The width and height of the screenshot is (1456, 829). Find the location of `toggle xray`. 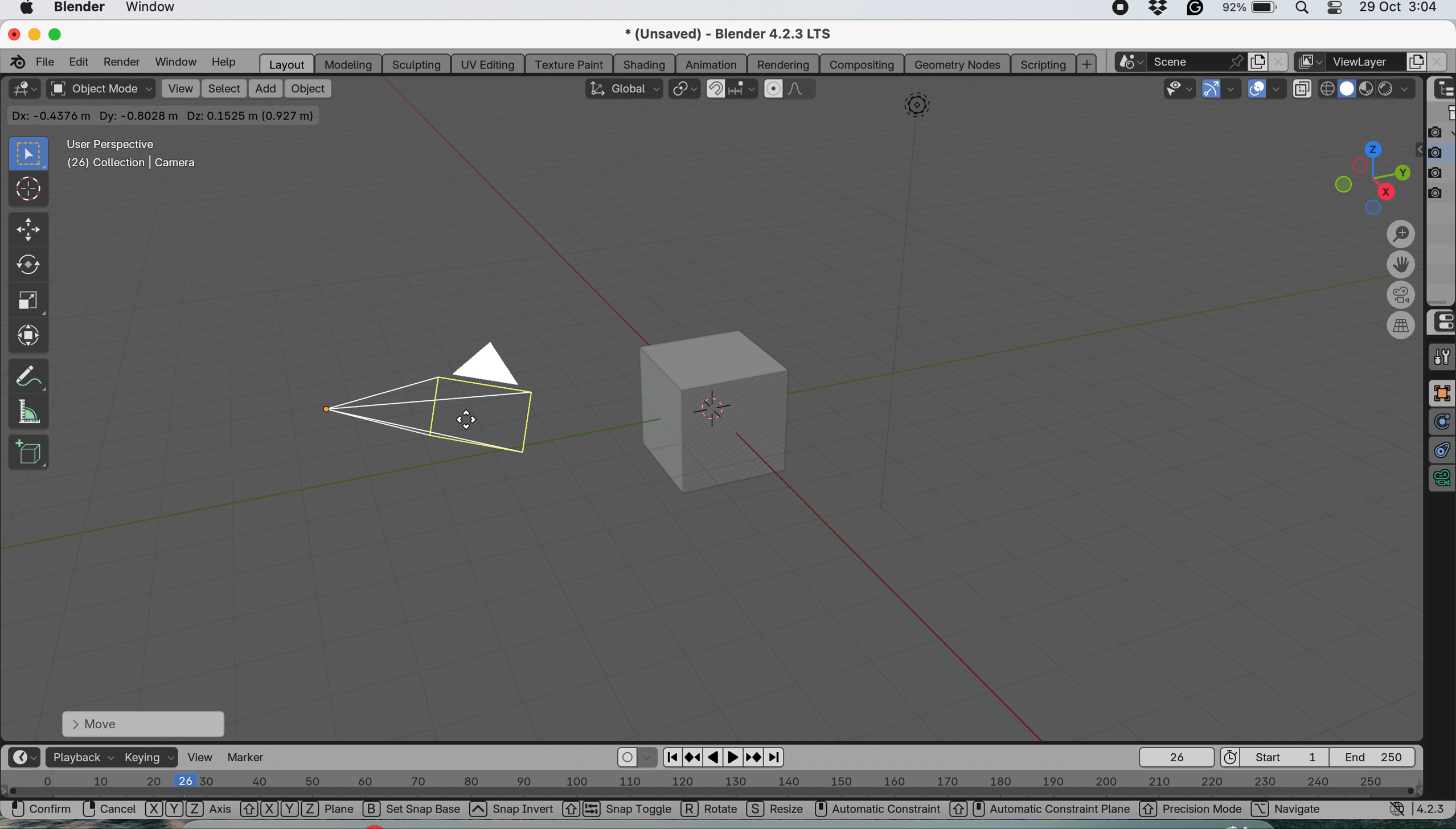

toggle xray is located at coordinates (1305, 91).